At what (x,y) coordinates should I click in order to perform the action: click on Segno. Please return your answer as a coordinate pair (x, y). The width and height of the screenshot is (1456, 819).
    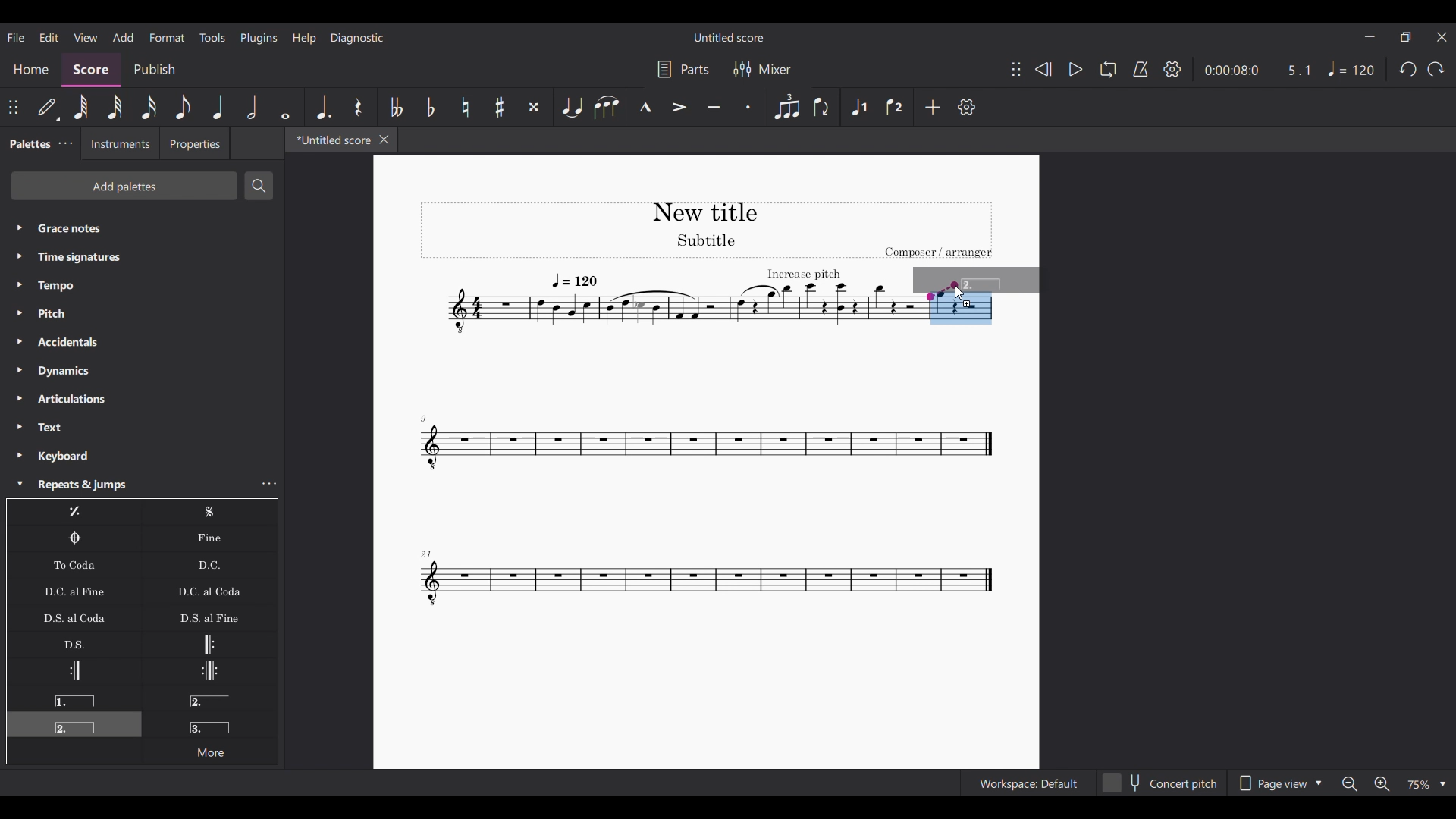
    Looking at the image, I should click on (210, 512).